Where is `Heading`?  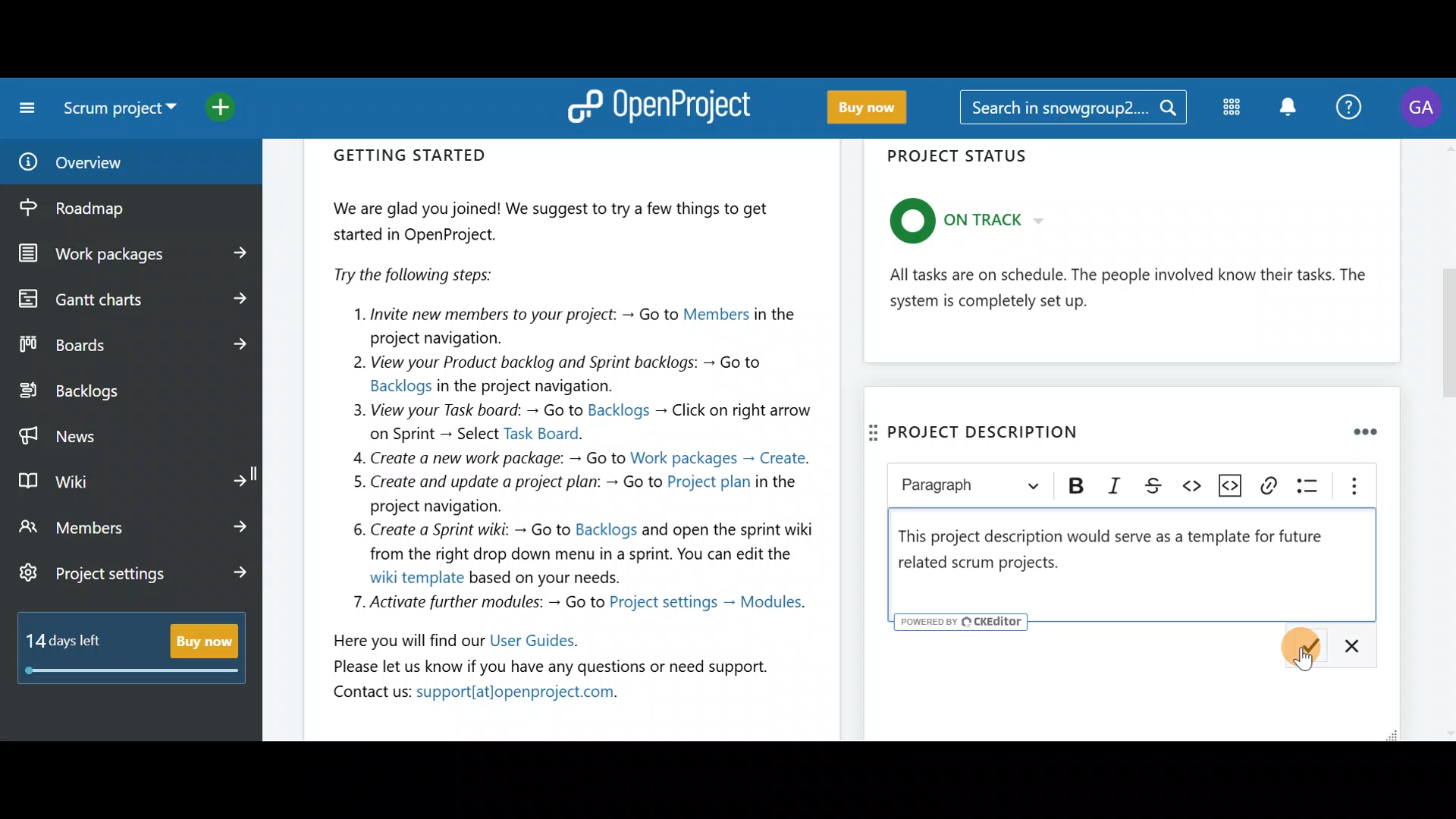
Heading is located at coordinates (972, 488).